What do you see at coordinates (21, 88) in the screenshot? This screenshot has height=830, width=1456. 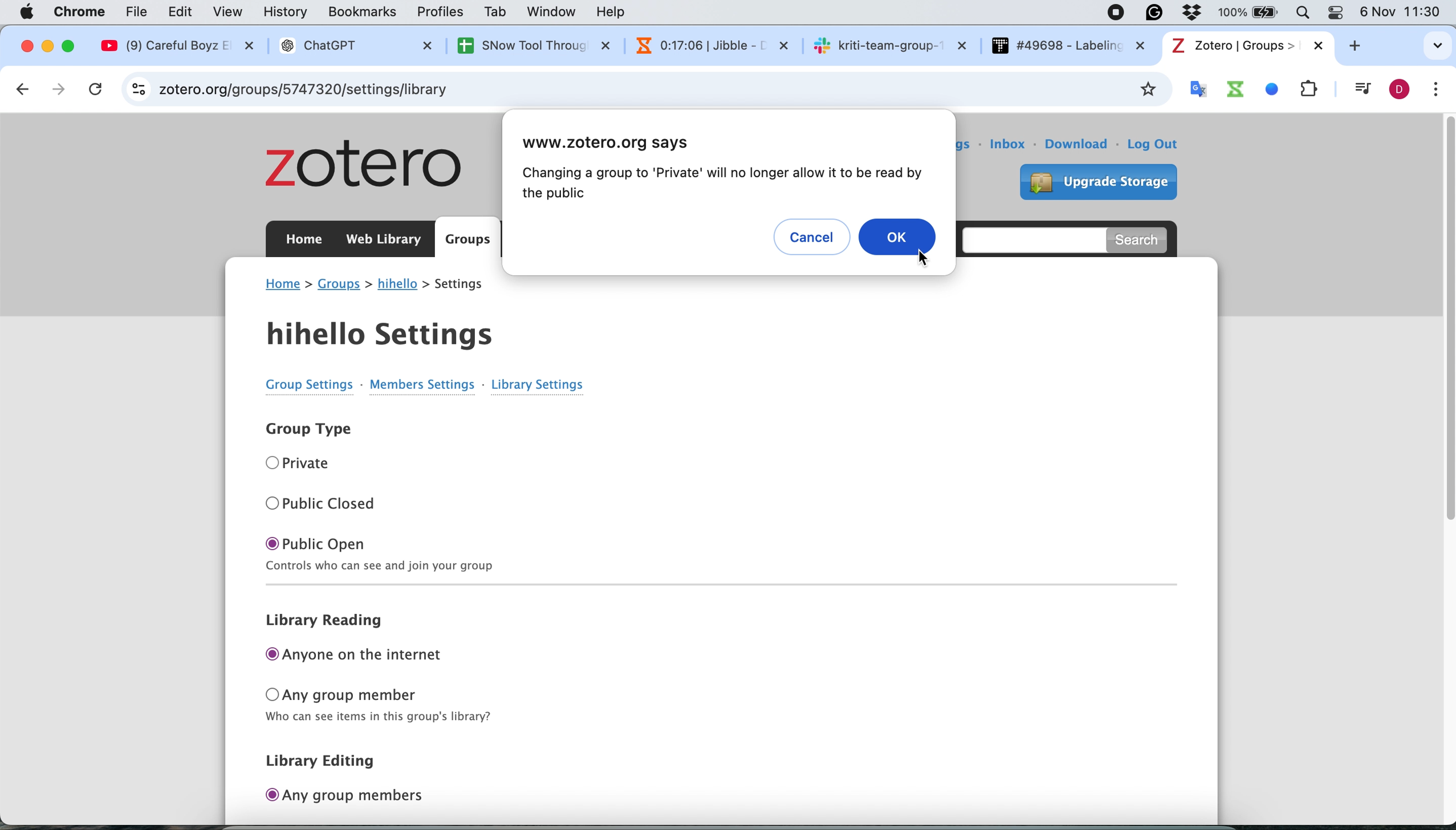 I see `go back` at bounding box center [21, 88].